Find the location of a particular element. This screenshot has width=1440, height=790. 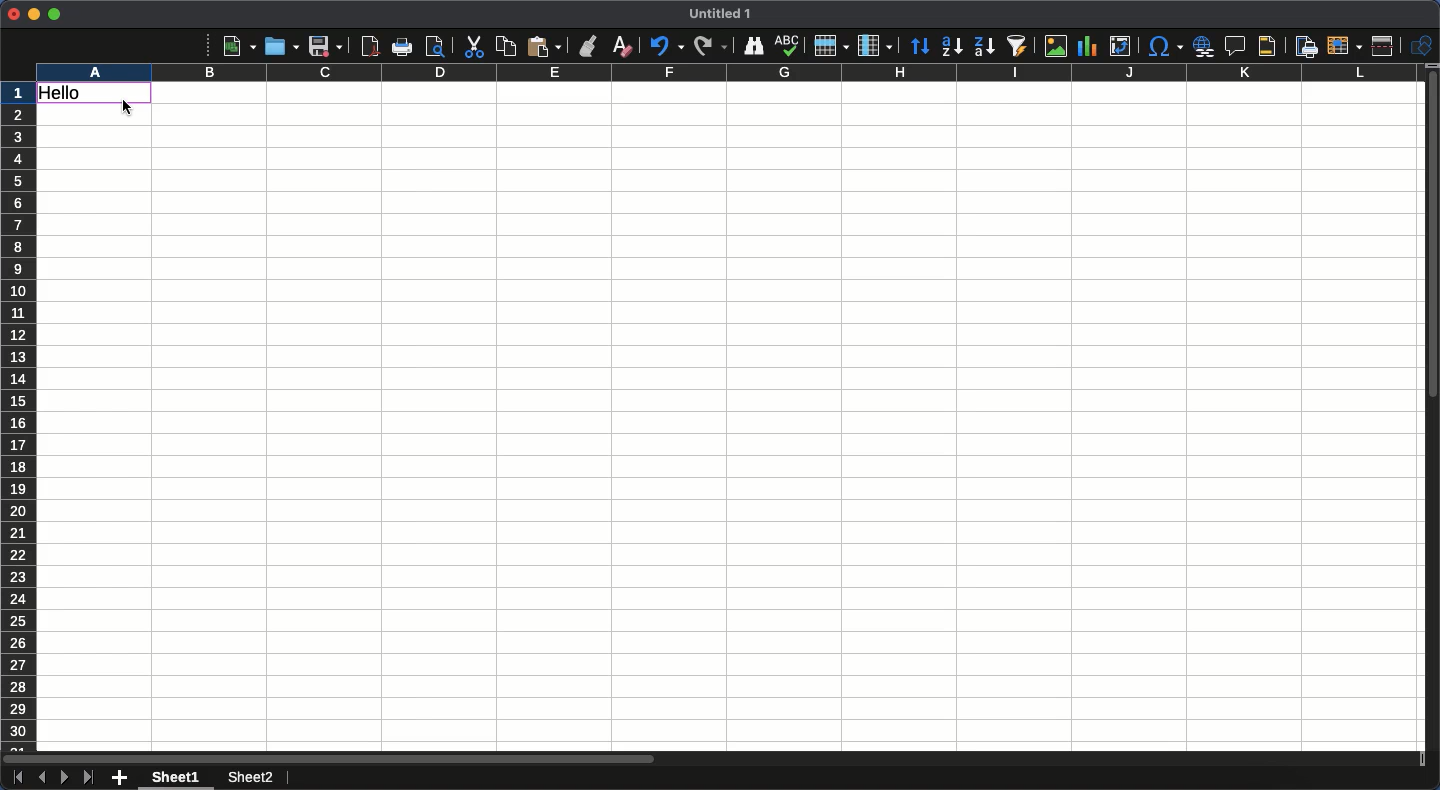

Cut is located at coordinates (472, 47).